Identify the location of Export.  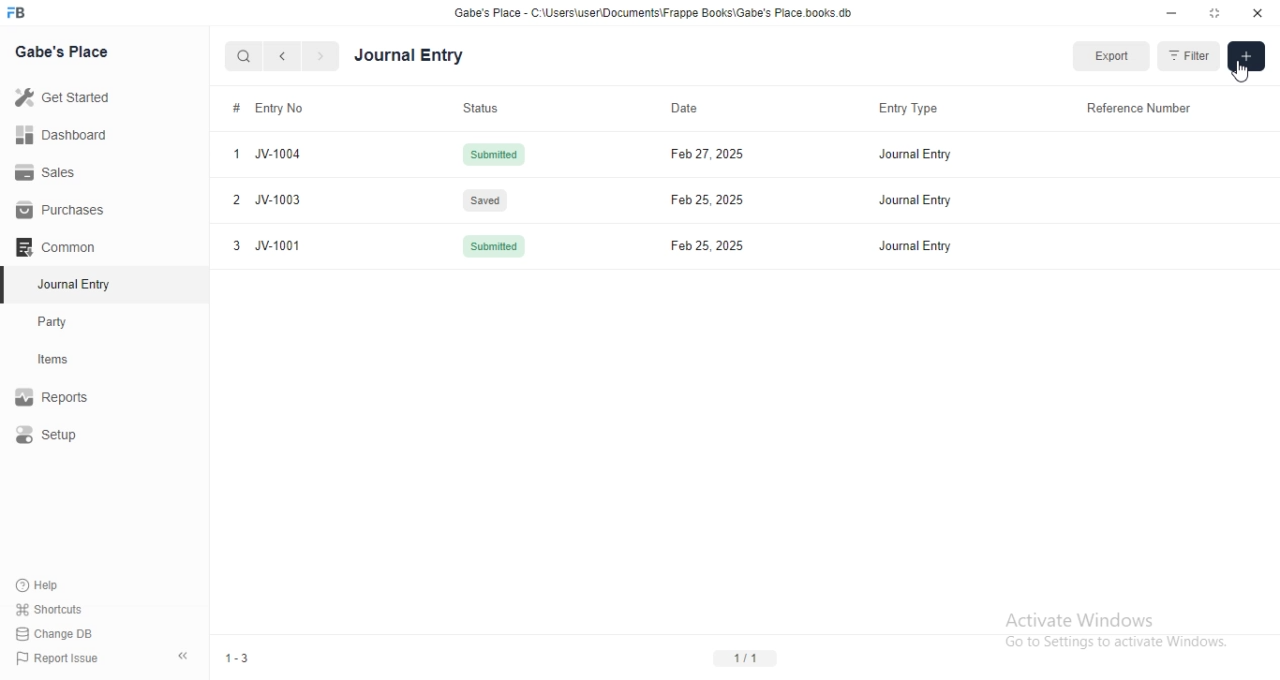
(1114, 56).